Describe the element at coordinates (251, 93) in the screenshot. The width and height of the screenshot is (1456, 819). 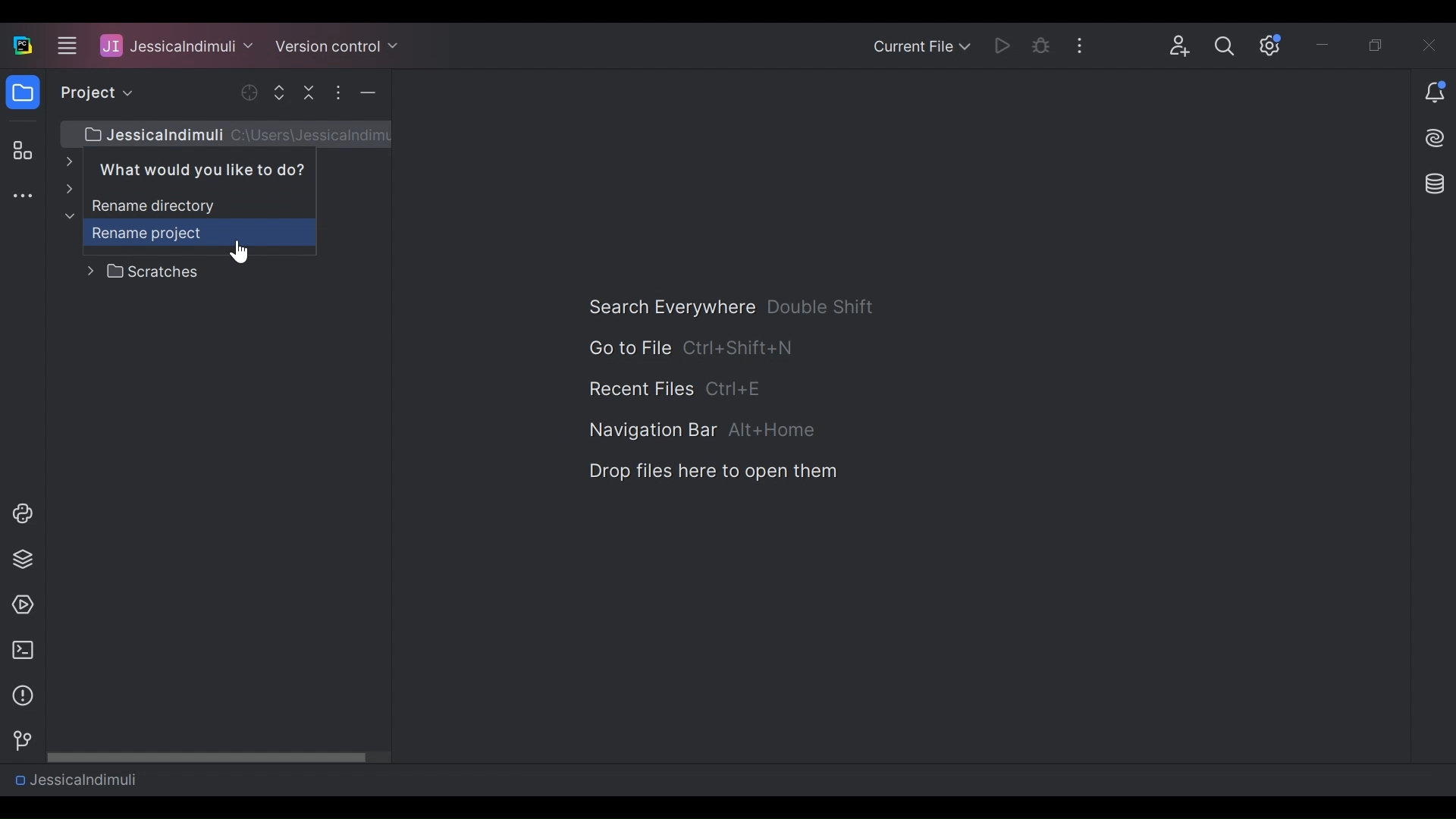
I see `Open Selected File` at that location.